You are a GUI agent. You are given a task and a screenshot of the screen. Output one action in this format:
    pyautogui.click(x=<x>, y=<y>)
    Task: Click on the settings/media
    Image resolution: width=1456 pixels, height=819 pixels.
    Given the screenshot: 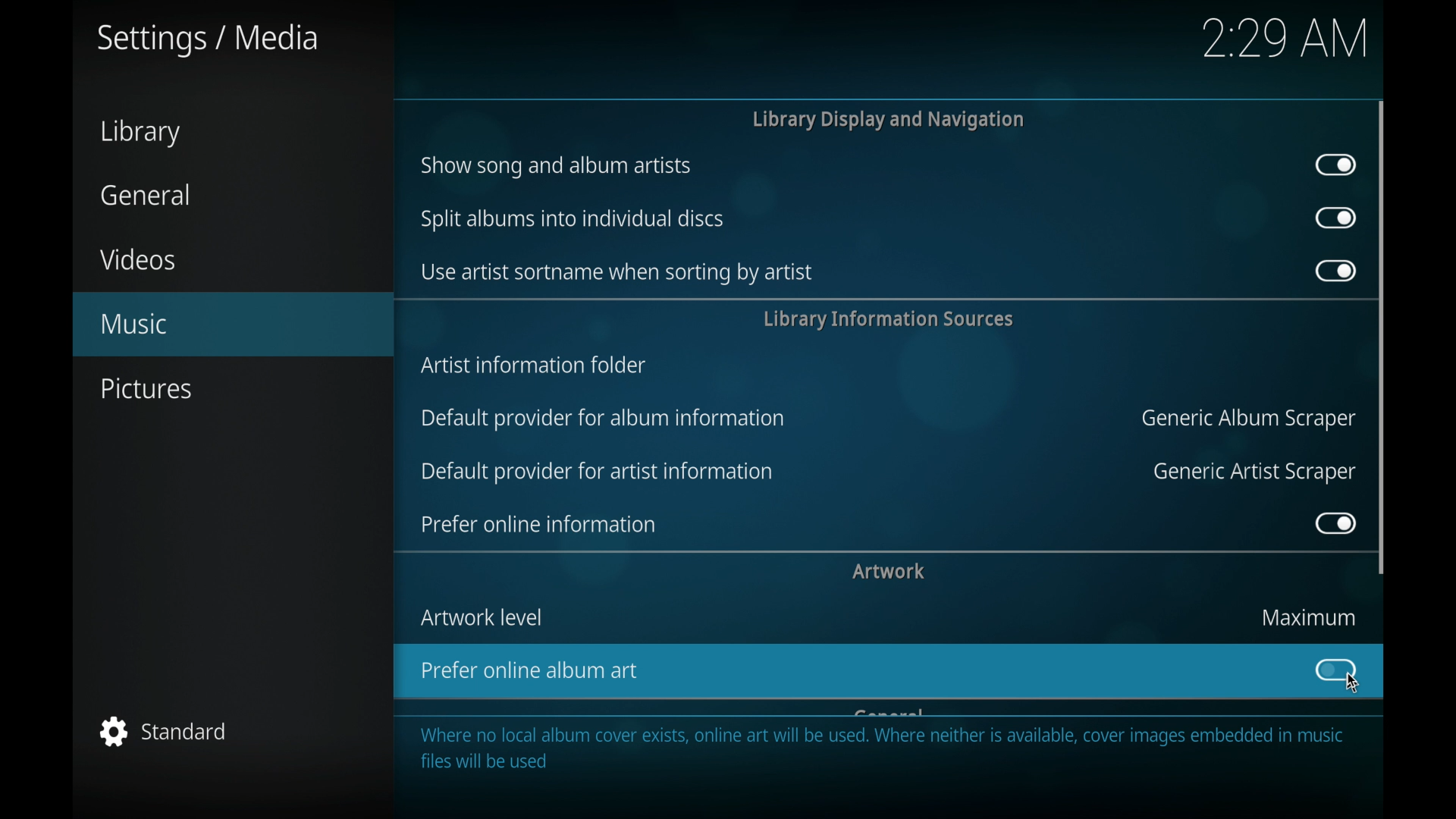 What is the action you would take?
    pyautogui.click(x=206, y=39)
    